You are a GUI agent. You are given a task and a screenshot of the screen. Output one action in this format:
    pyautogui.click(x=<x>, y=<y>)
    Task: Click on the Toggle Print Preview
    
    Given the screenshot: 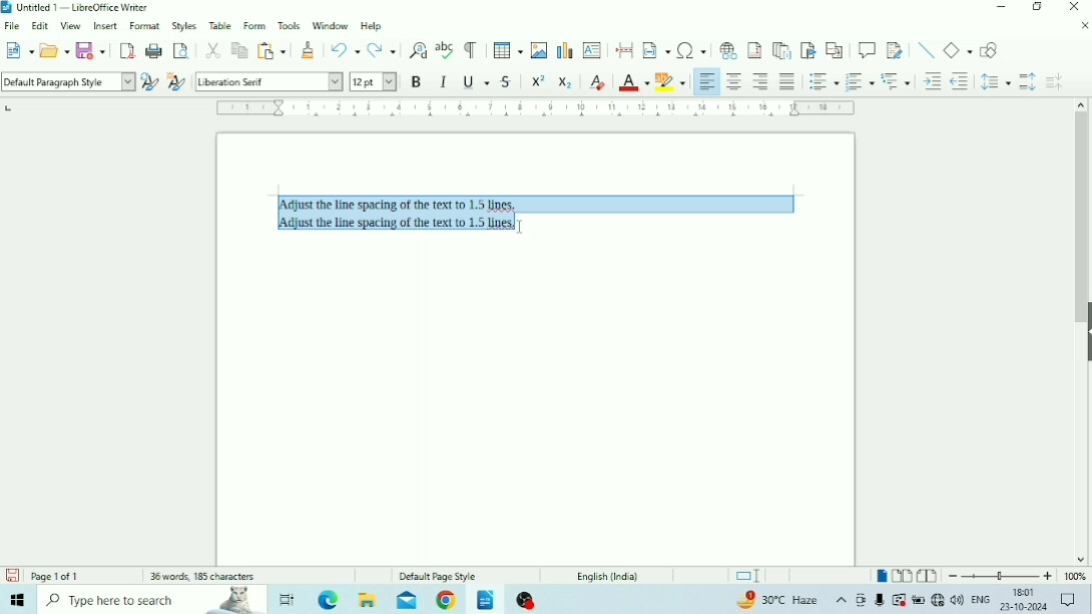 What is the action you would take?
    pyautogui.click(x=183, y=50)
    